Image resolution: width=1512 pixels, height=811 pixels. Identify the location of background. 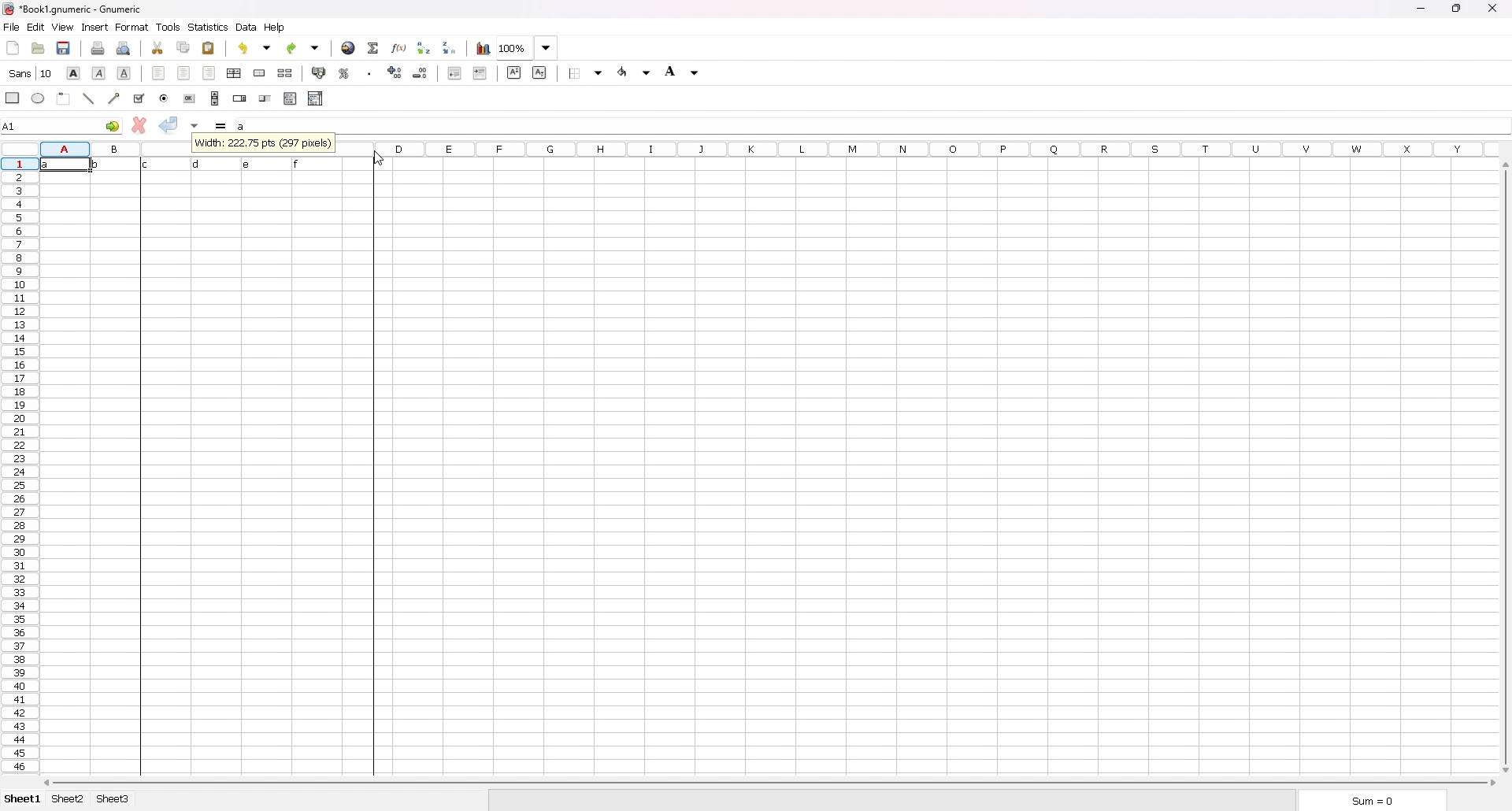
(684, 71).